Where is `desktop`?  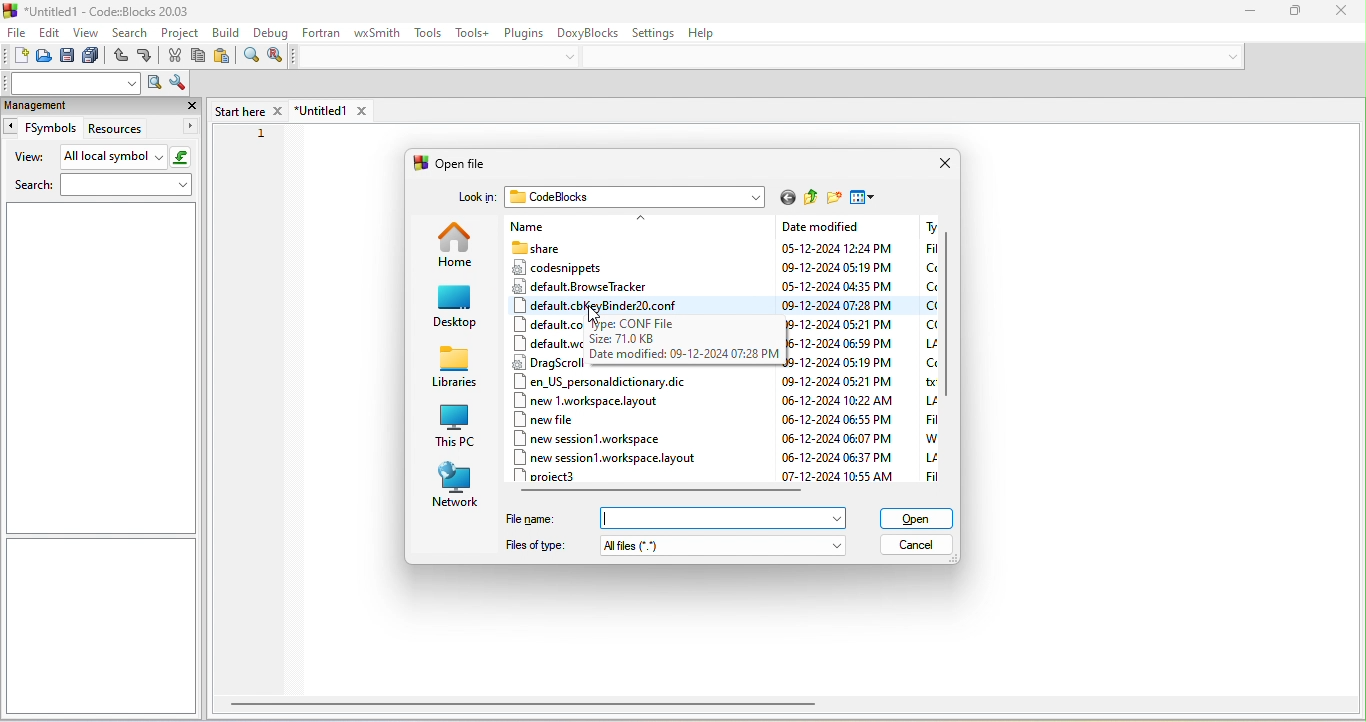 desktop is located at coordinates (453, 308).